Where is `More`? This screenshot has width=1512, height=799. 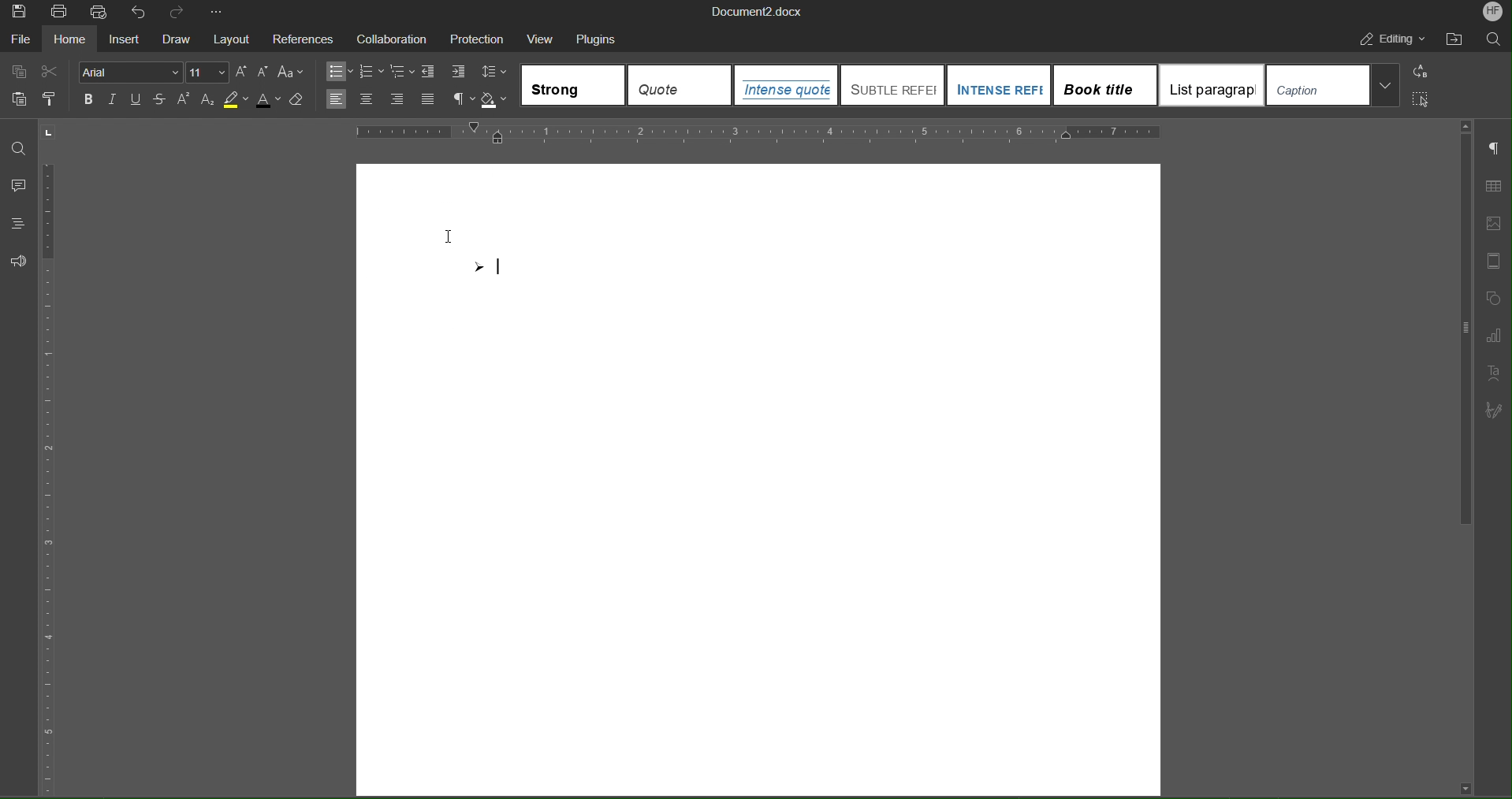 More is located at coordinates (221, 14).